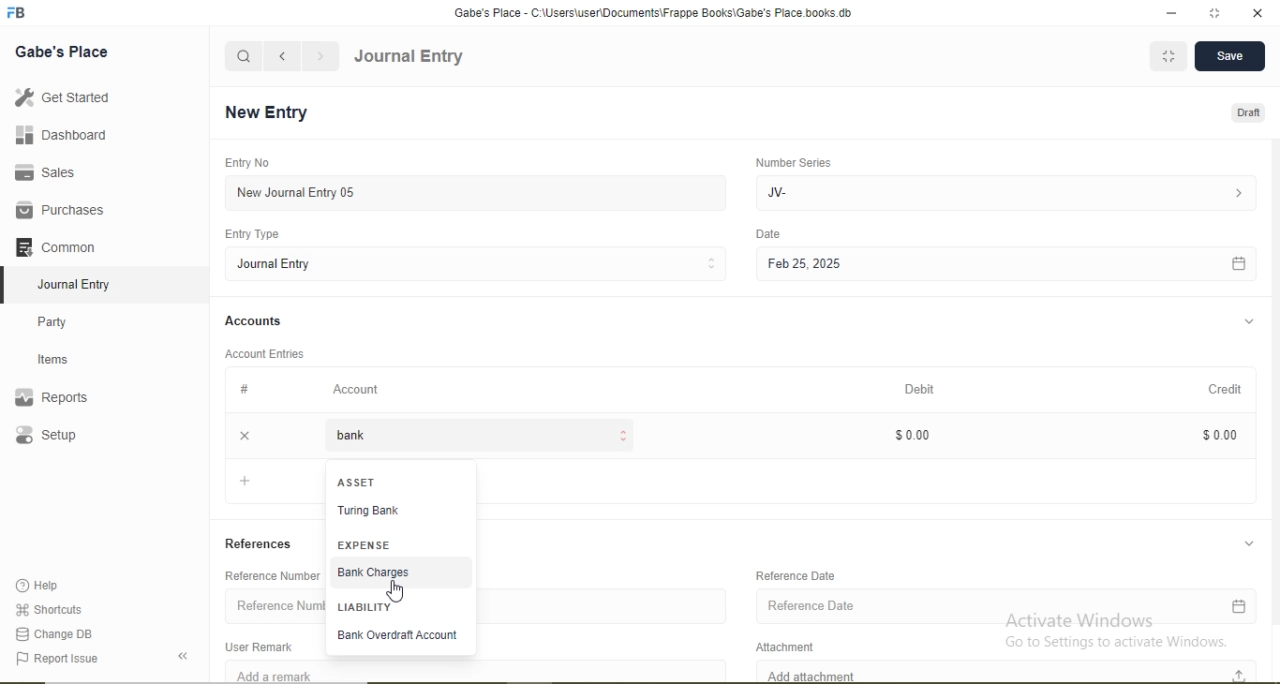 The height and width of the screenshot is (684, 1280). What do you see at coordinates (476, 435) in the screenshot?
I see `bank` at bounding box center [476, 435].